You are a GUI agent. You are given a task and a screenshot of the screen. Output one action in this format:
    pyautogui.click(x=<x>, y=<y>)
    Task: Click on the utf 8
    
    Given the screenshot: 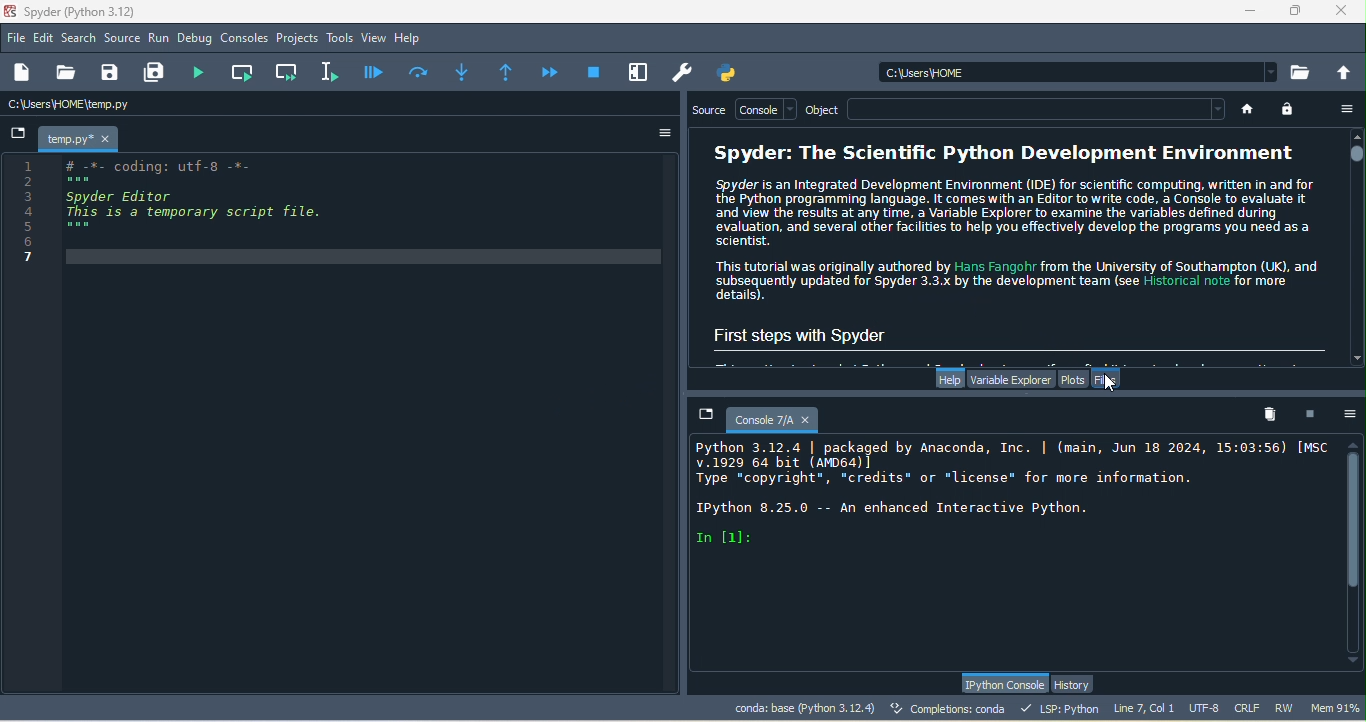 What is the action you would take?
    pyautogui.click(x=1206, y=709)
    